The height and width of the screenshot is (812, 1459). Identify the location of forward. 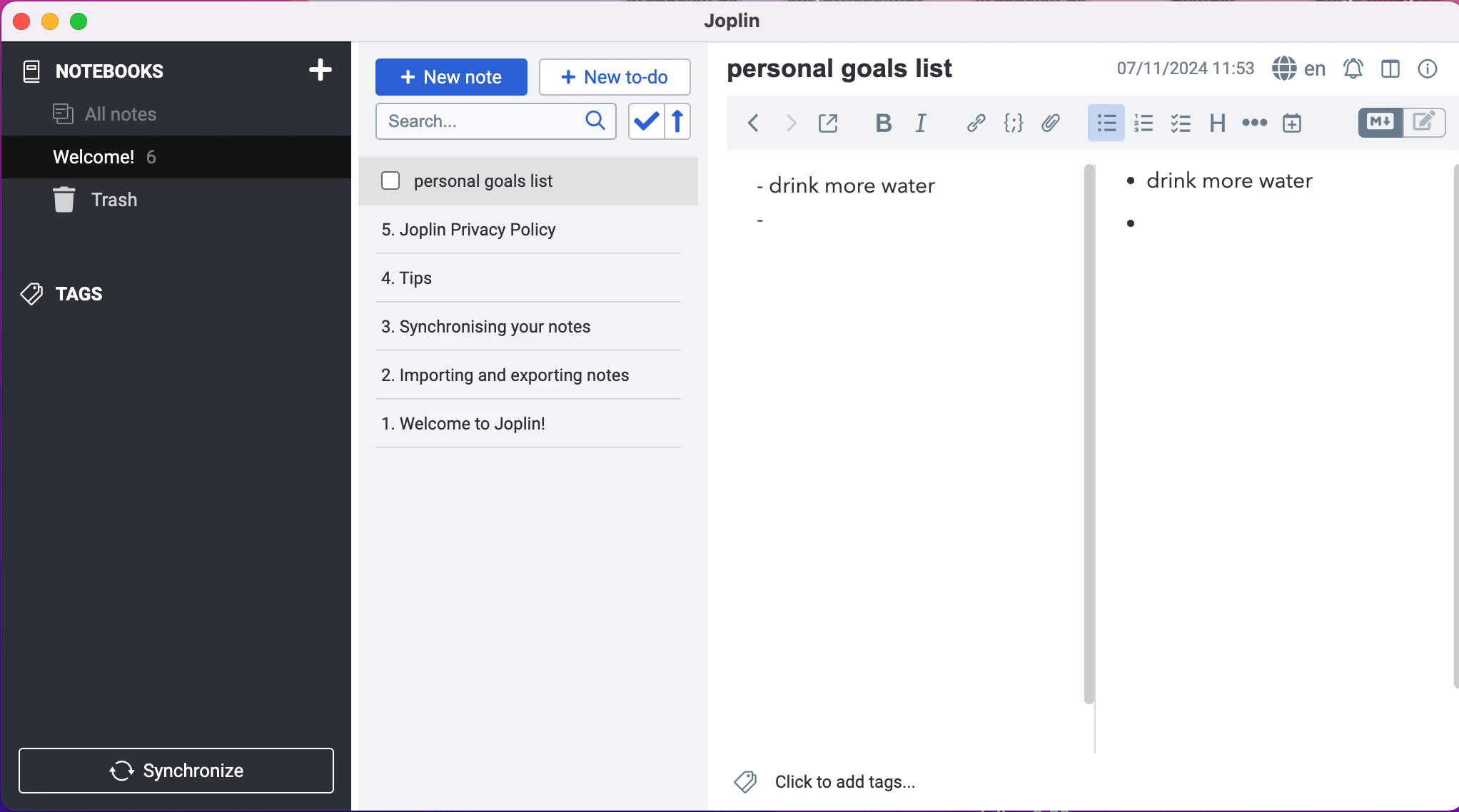
(792, 126).